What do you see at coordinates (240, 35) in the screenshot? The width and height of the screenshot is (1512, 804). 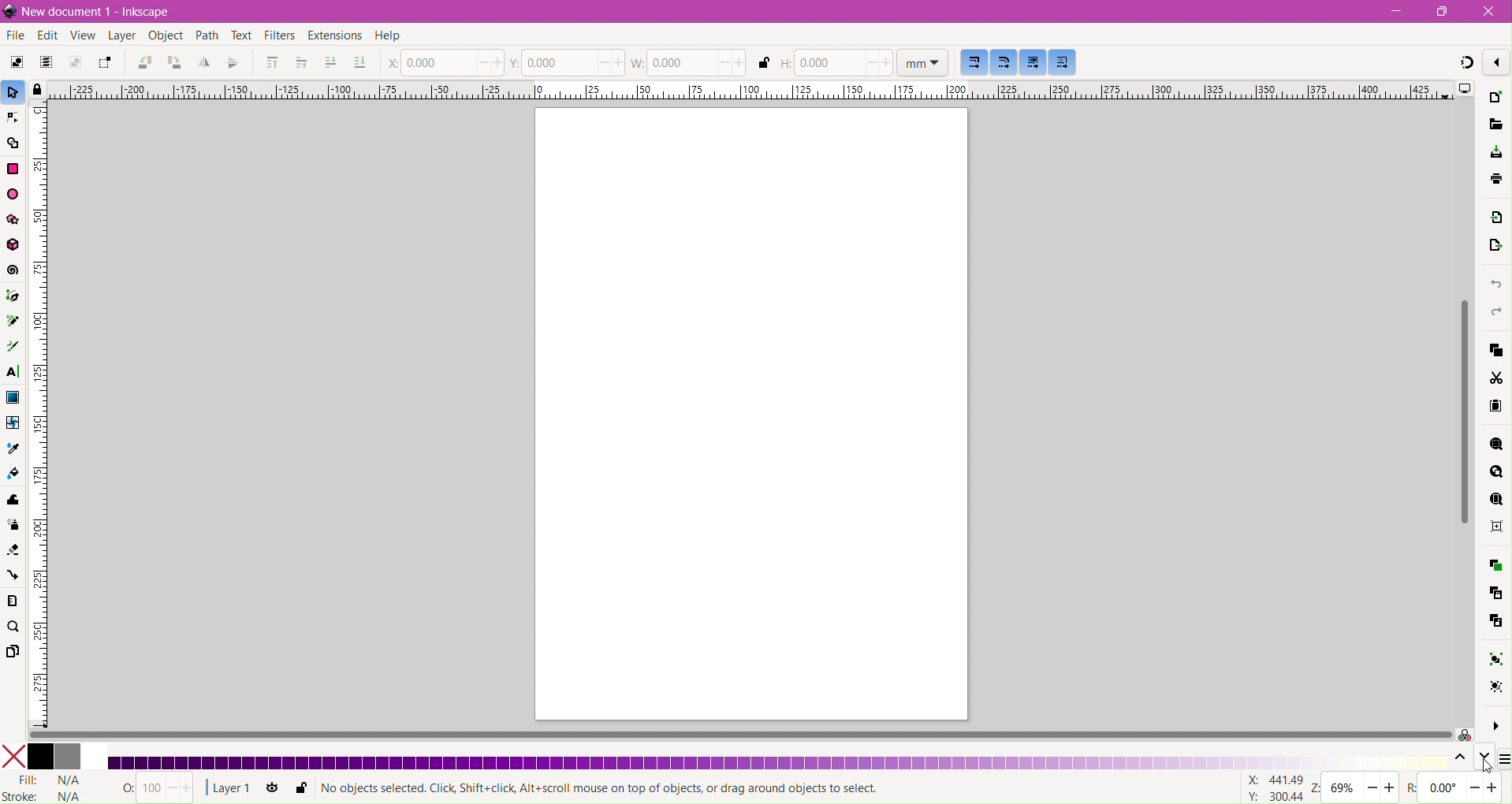 I see `Text` at bounding box center [240, 35].